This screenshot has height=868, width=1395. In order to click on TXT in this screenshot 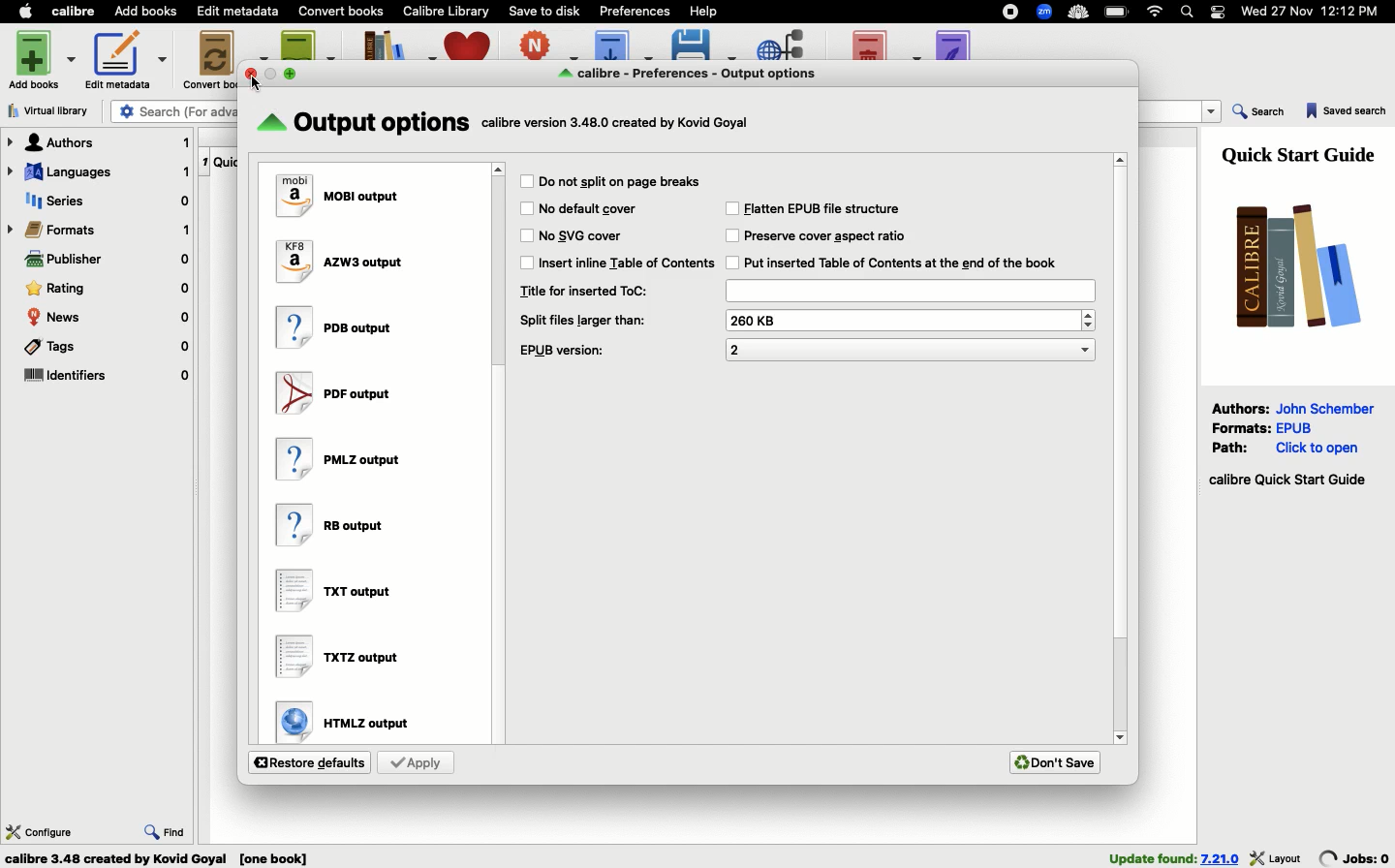, I will do `click(335, 587)`.